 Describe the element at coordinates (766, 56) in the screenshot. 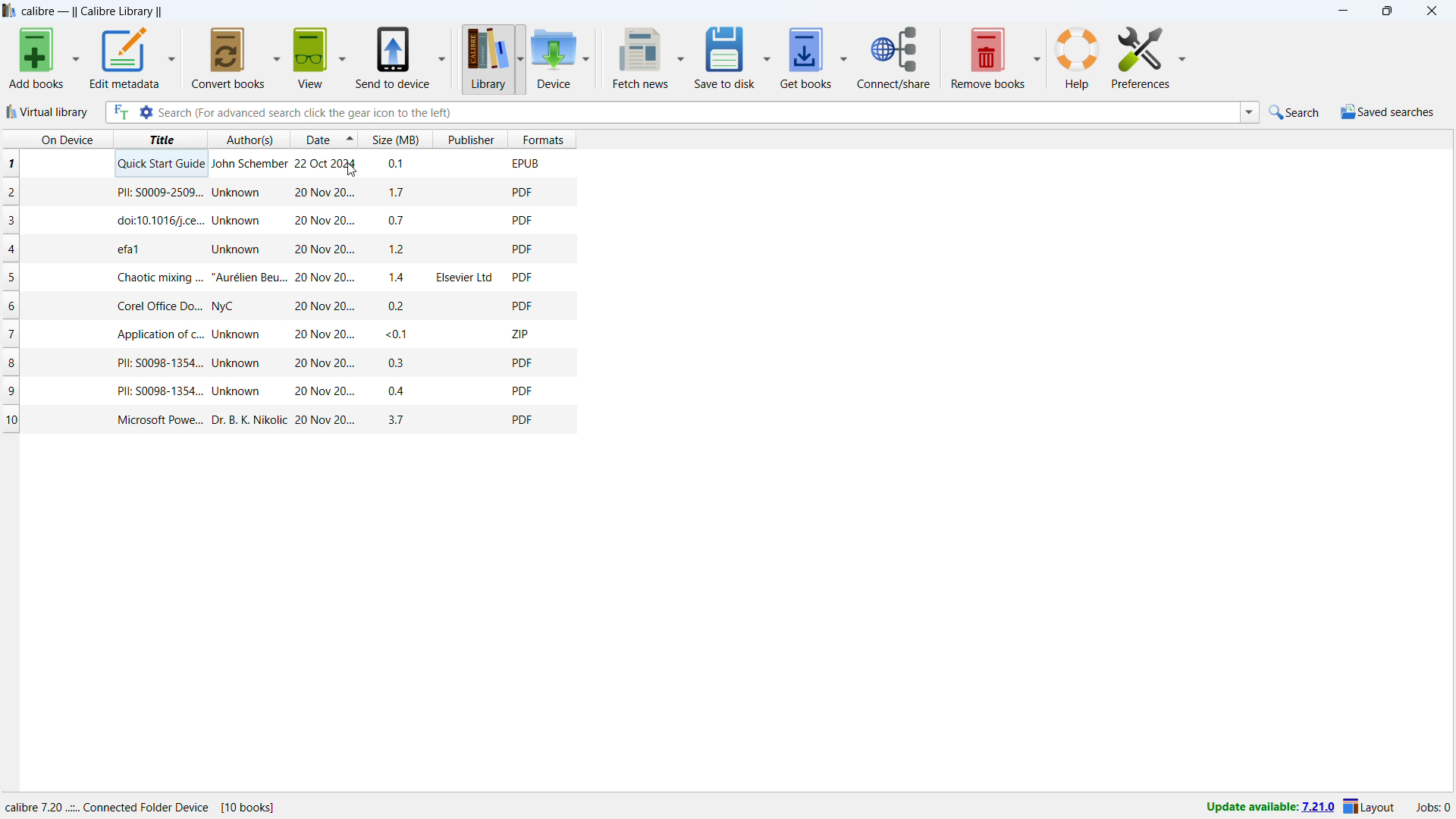

I see `save to disk options` at that location.